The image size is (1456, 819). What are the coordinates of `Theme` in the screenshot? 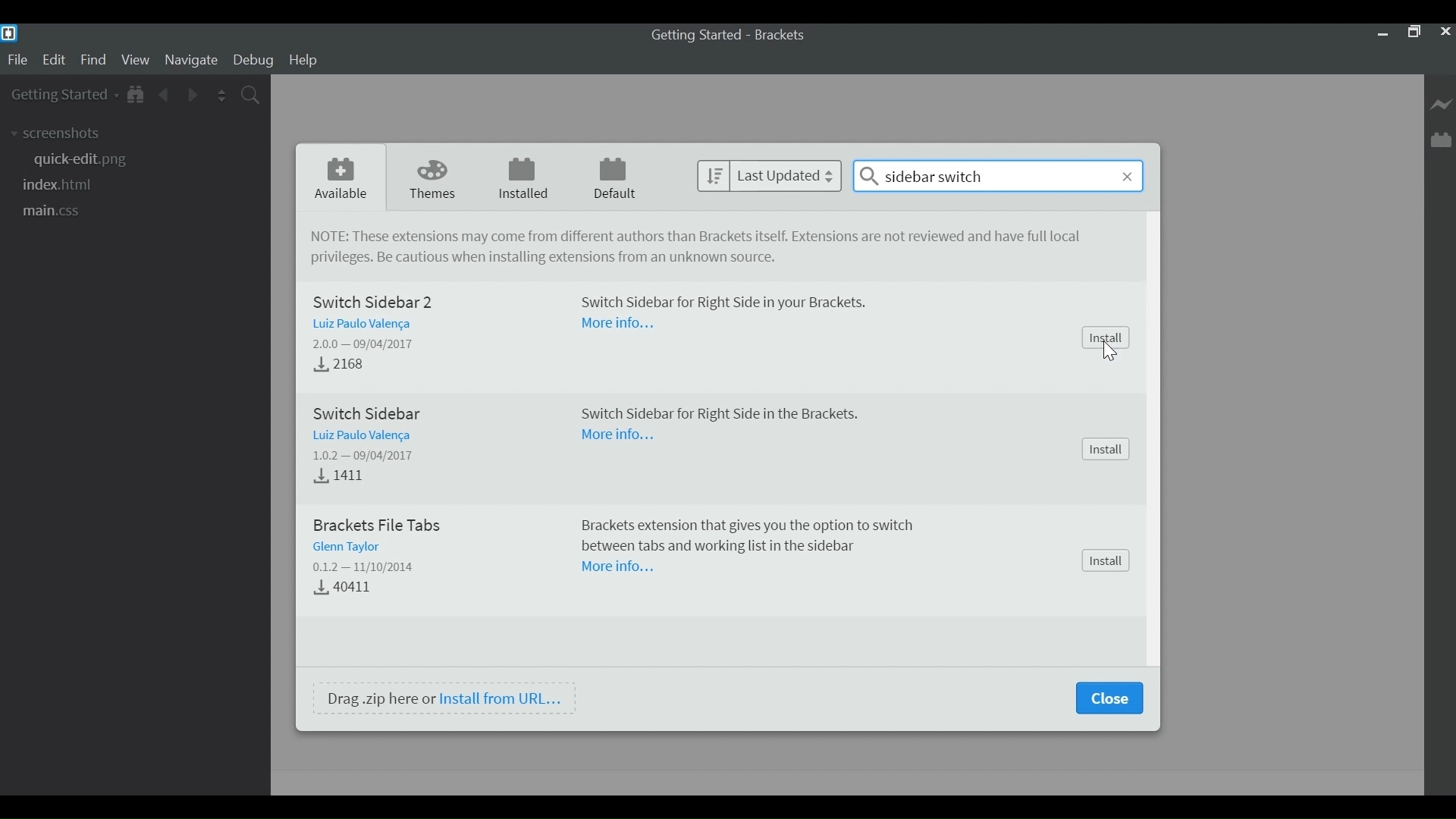 It's located at (436, 178).